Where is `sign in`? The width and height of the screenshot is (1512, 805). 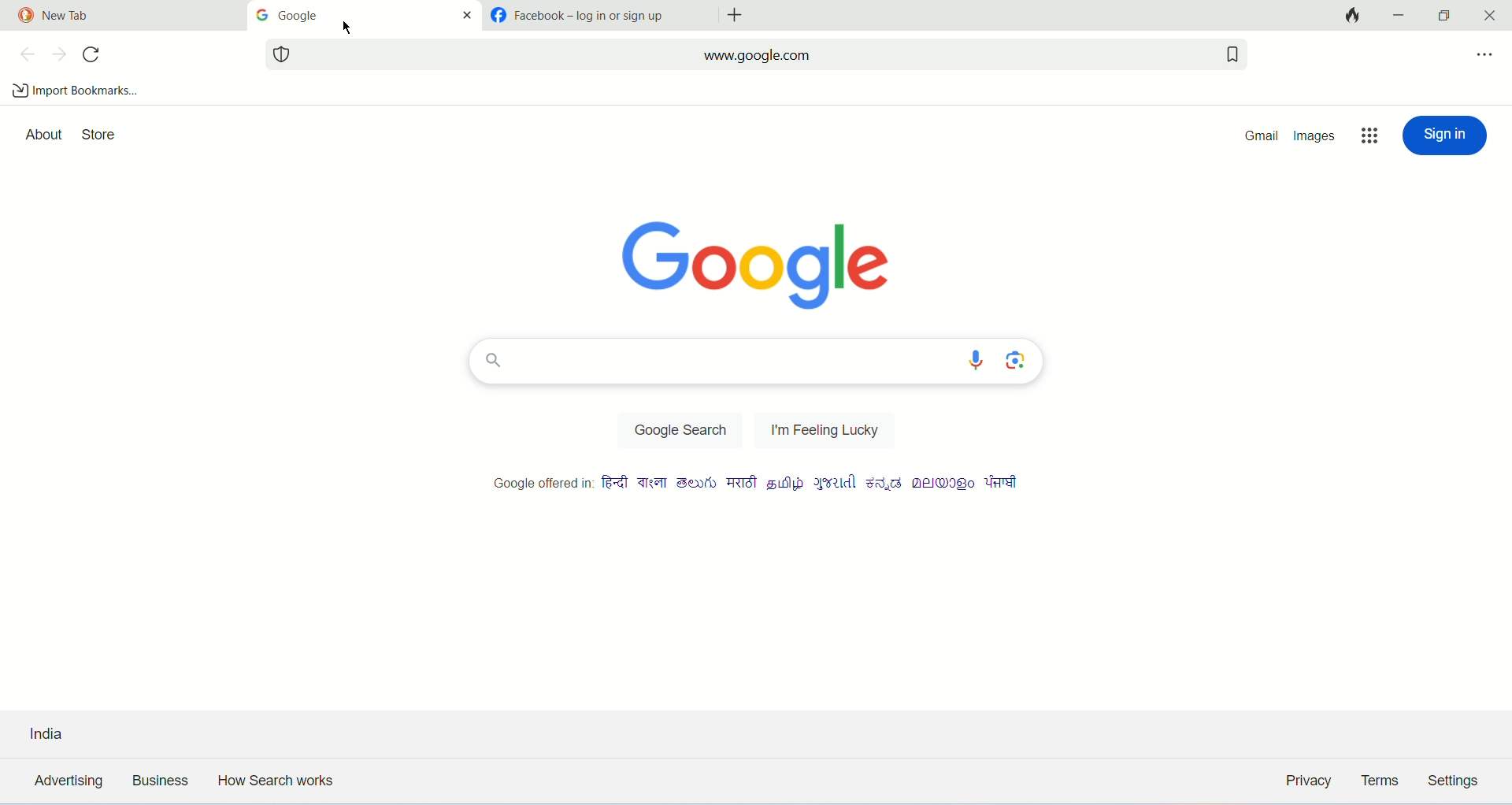
sign in is located at coordinates (1444, 135).